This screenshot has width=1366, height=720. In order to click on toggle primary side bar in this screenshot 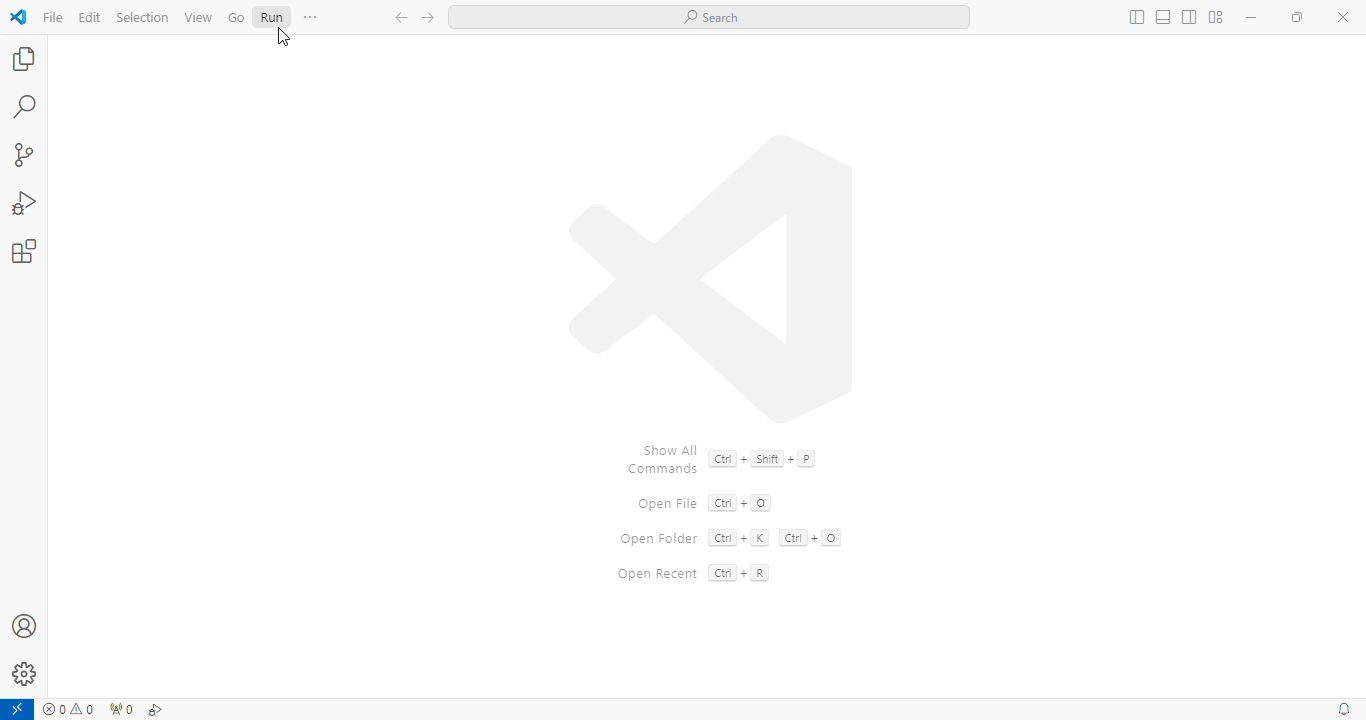, I will do `click(1136, 18)`.